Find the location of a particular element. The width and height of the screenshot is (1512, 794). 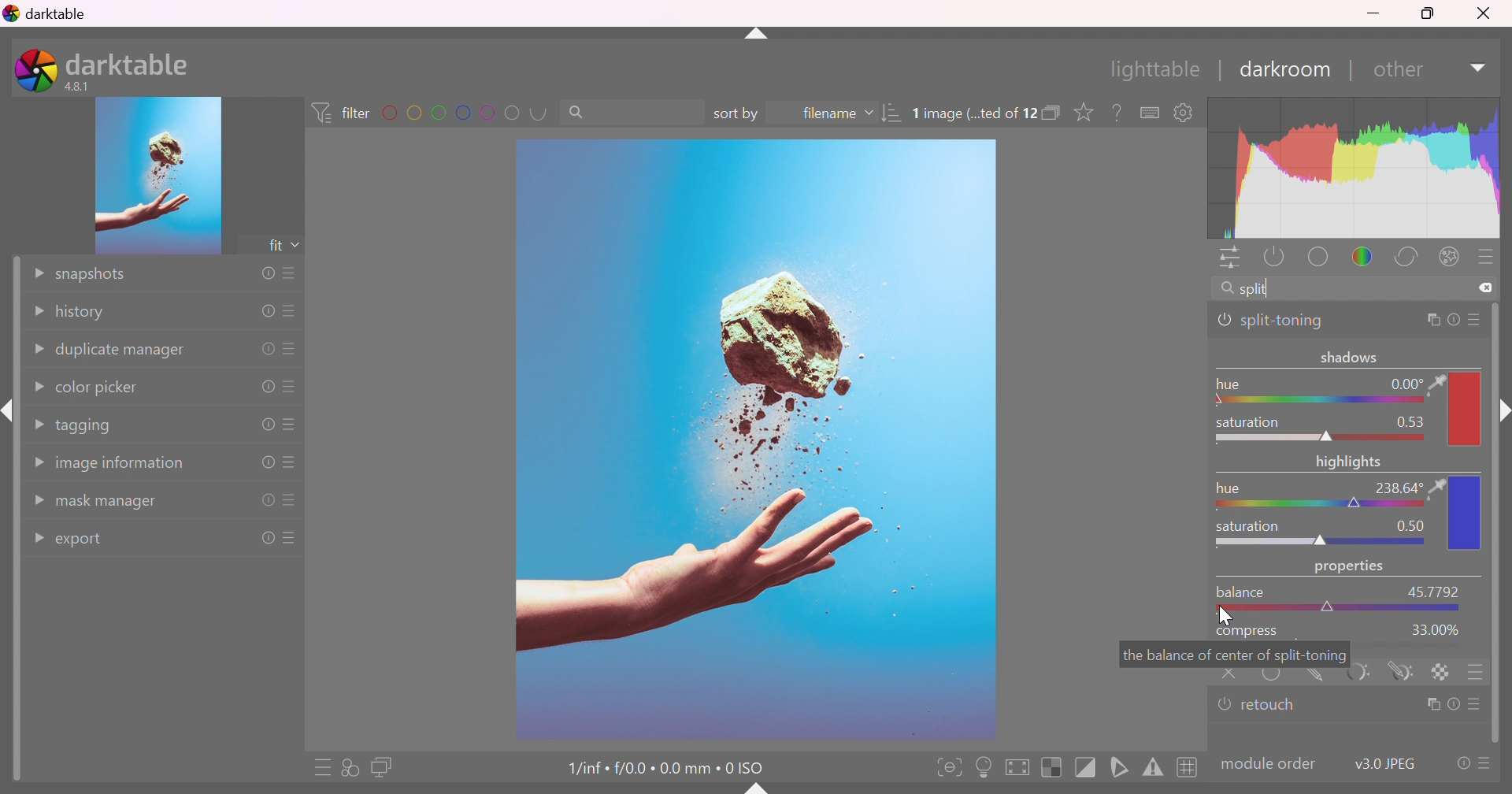

color picker is located at coordinates (1435, 486).